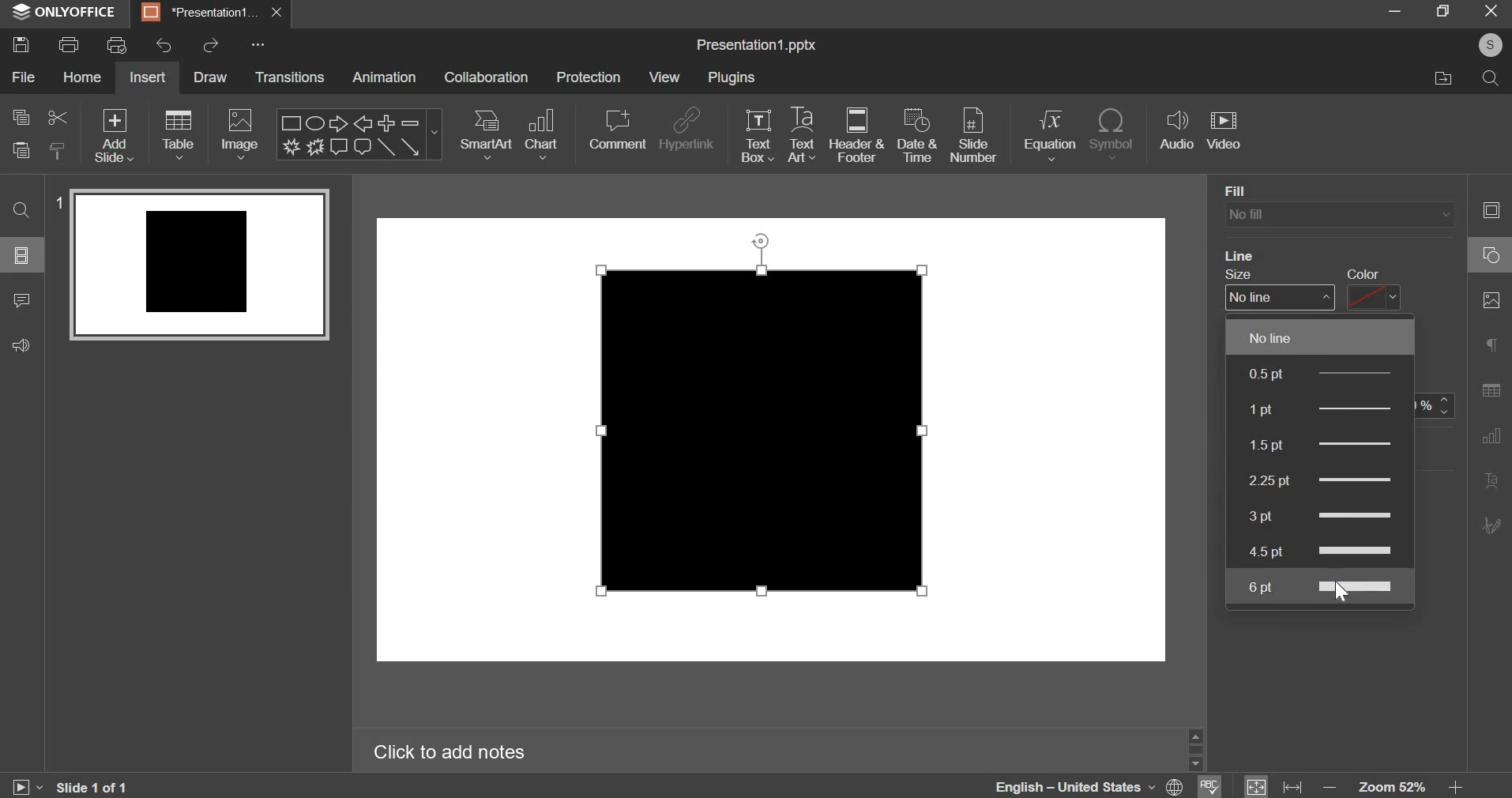  What do you see at coordinates (56, 150) in the screenshot?
I see `paste` at bounding box center [56, 150].